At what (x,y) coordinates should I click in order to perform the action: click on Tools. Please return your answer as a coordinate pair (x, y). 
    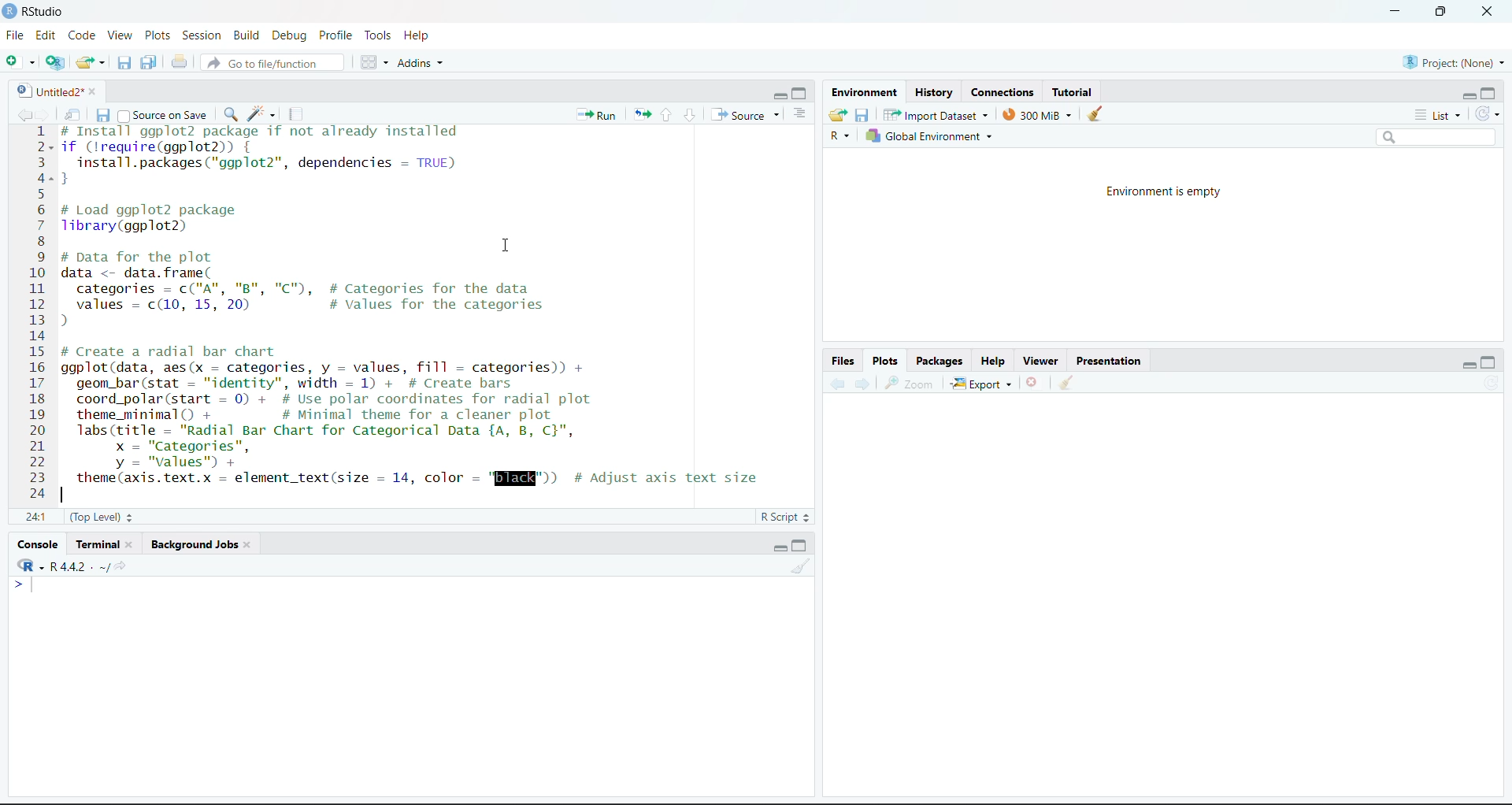
    Looking at the image, I should click on (377, 36).